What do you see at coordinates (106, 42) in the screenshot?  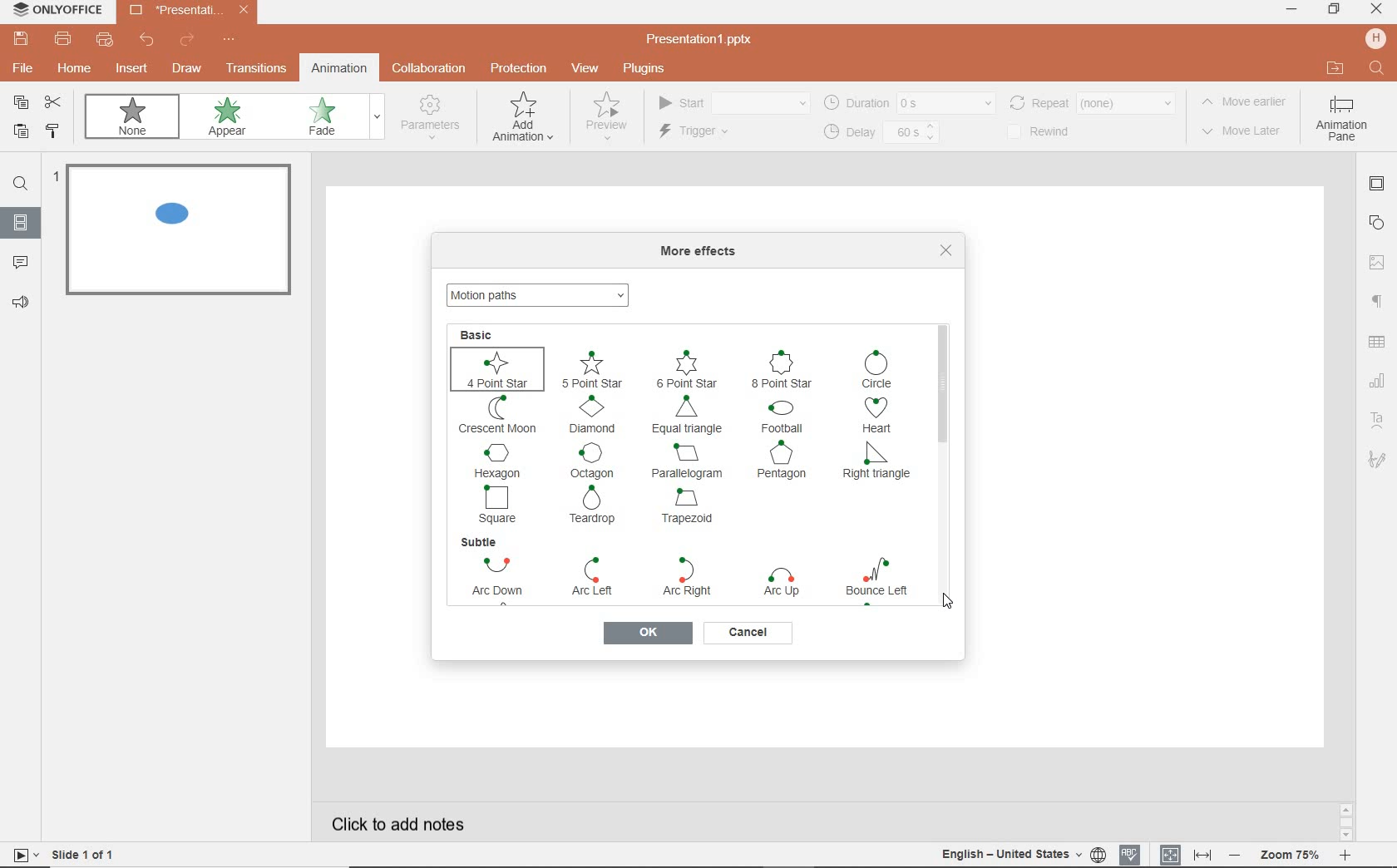 I see `quick print` at bounding box center [106, 42].